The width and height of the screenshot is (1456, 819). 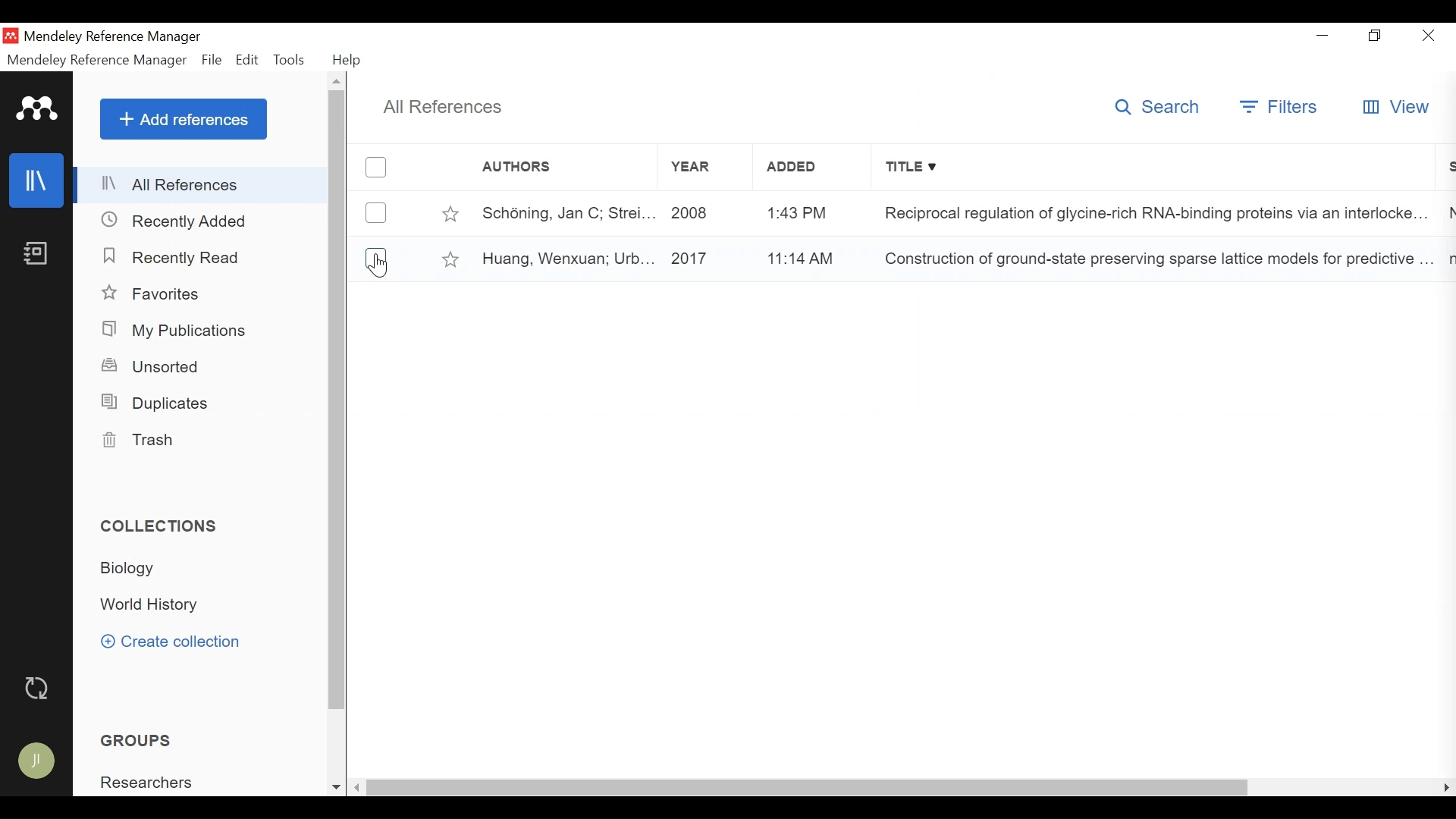 What do you see at coordinates (290, 59) in the screenshot?
I see `Tools` at bounding box center [290, 59].